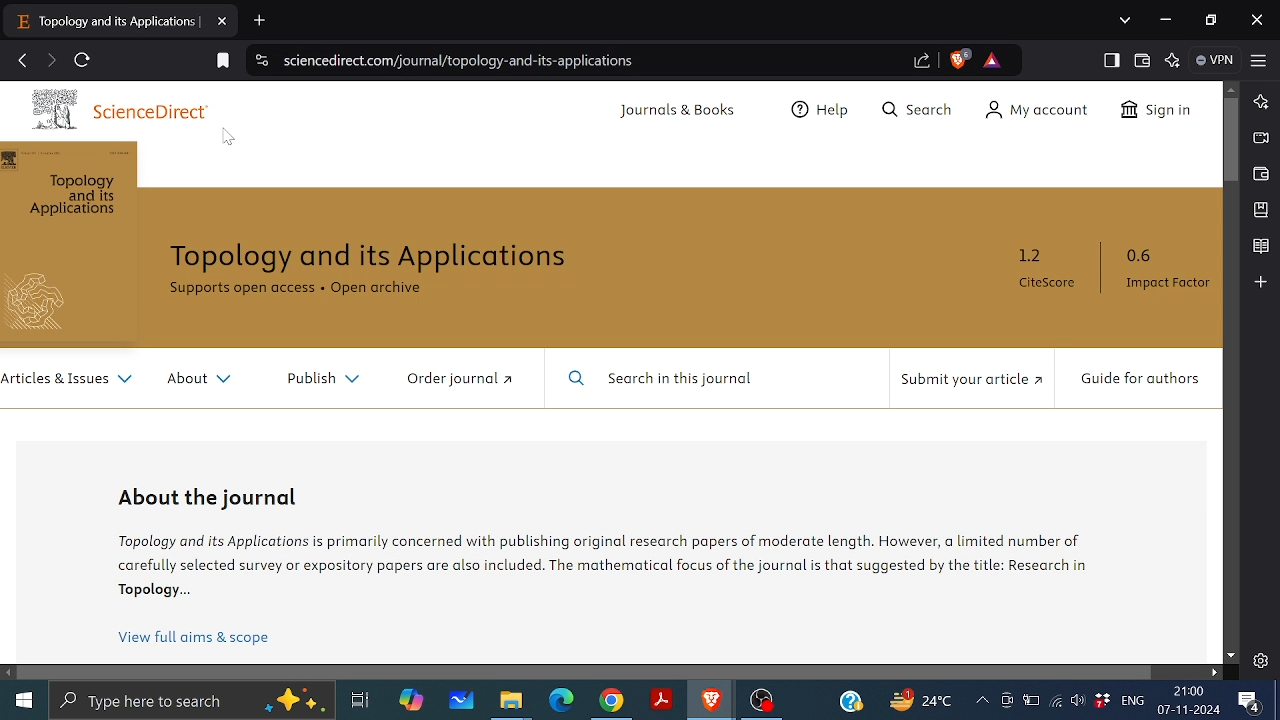 The width and height of the screenshot is (1280, 720). Describe the element at coordinates (164, 110) in the screenshot. I see ` ScienceDirect’` at that location.